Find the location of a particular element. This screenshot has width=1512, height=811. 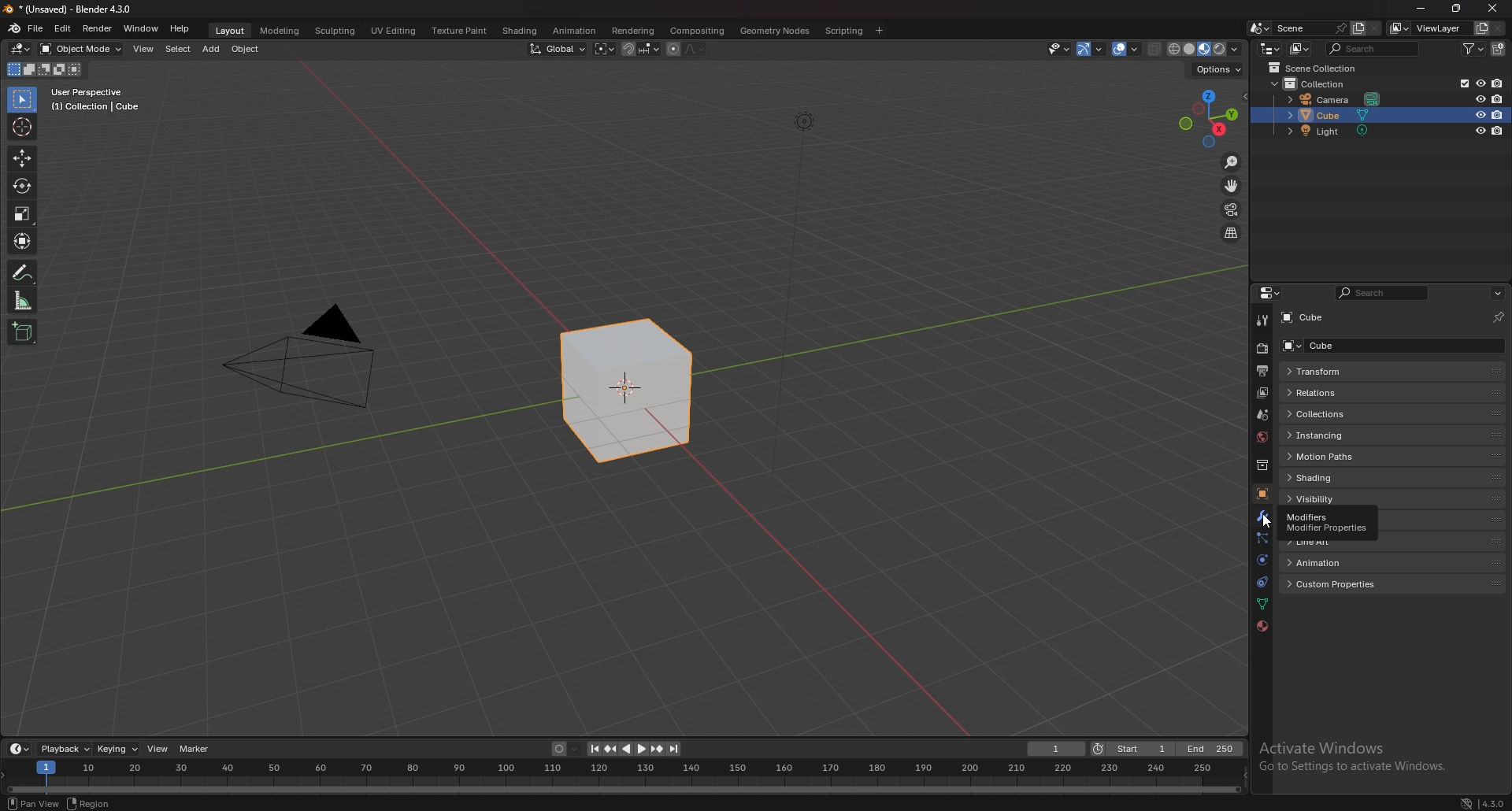

disable in renders is located at coordinates (1498, 99).